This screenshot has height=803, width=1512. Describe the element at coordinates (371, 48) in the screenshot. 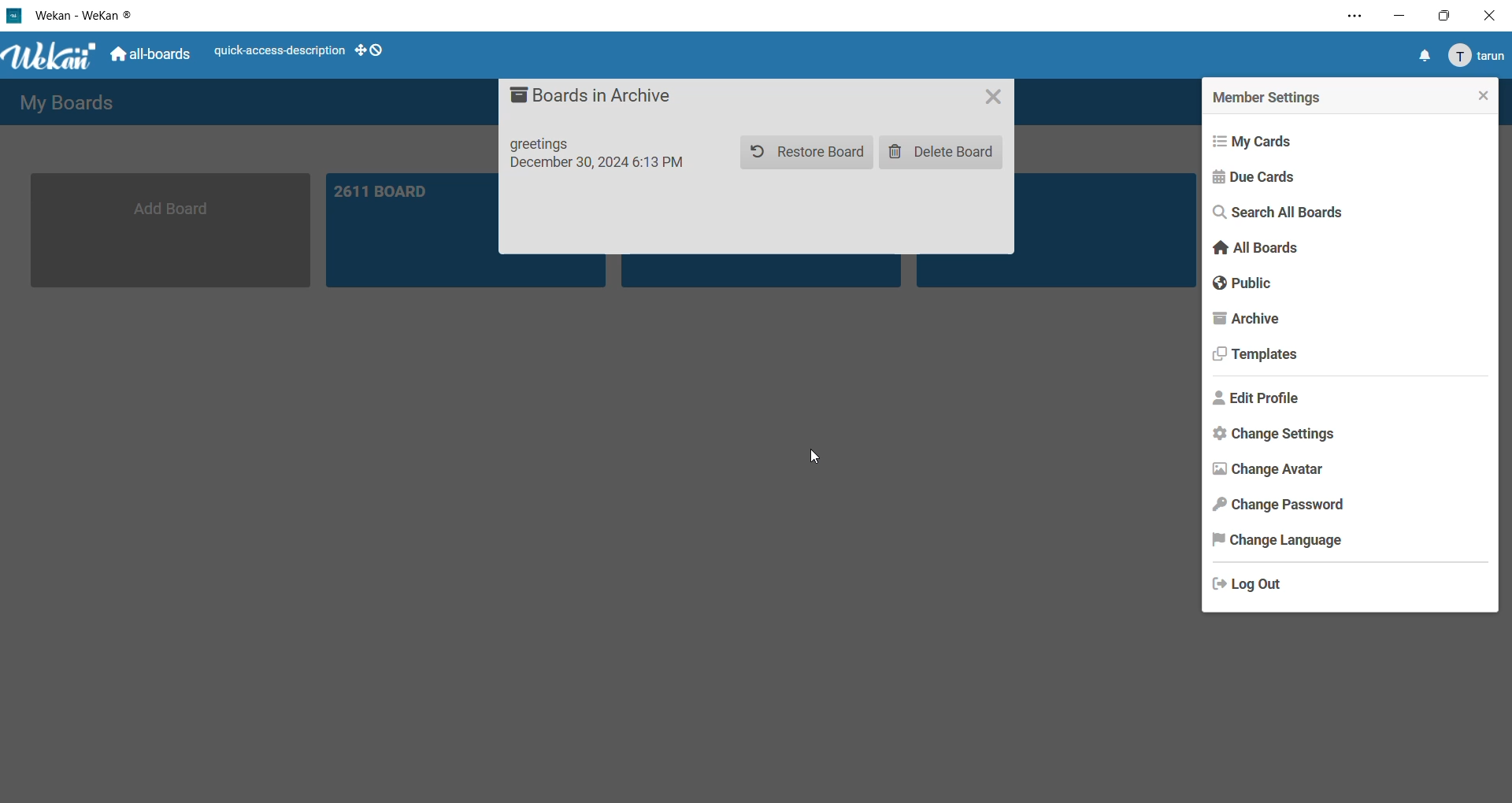

I see `show desktop drag handles` at that location.